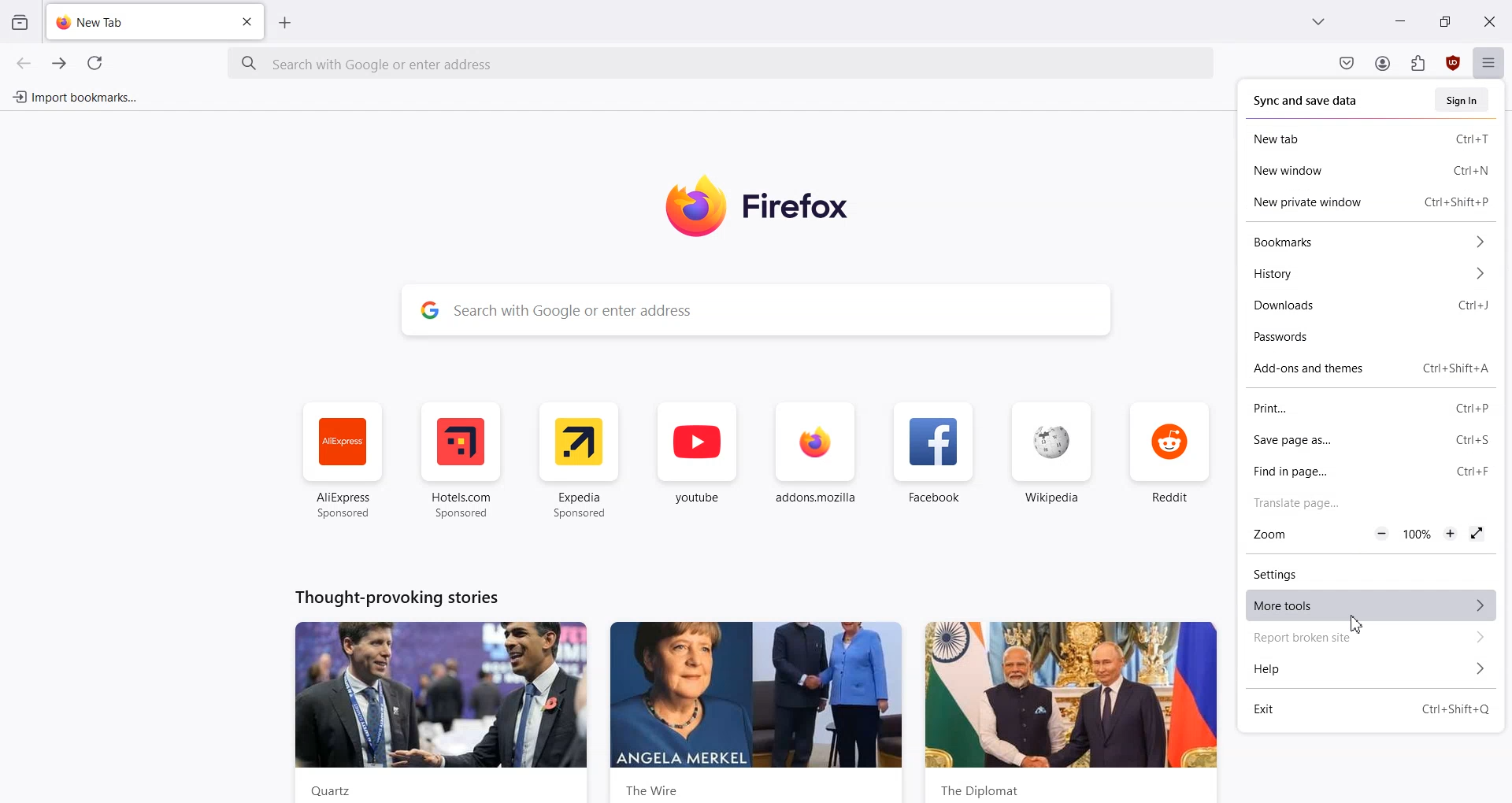  What do you see at coordinates (95, 63) in the screenshot?
I see `Refresh` at bounding box center [95, 63].